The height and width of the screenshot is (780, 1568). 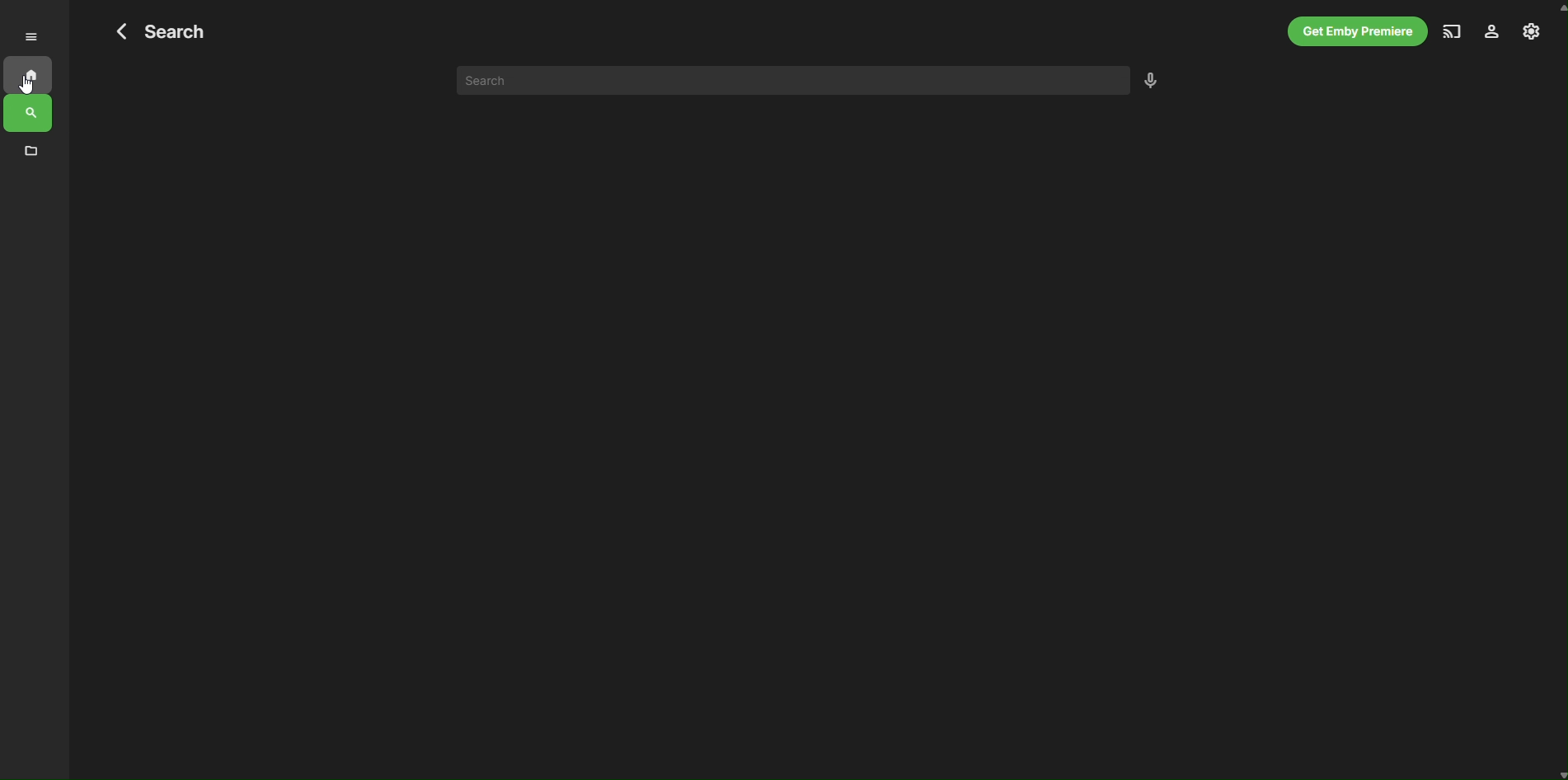 What do you see at coordinates (31, 152) in the screenshot?
I see `Files` at bounding box center [31, 152].